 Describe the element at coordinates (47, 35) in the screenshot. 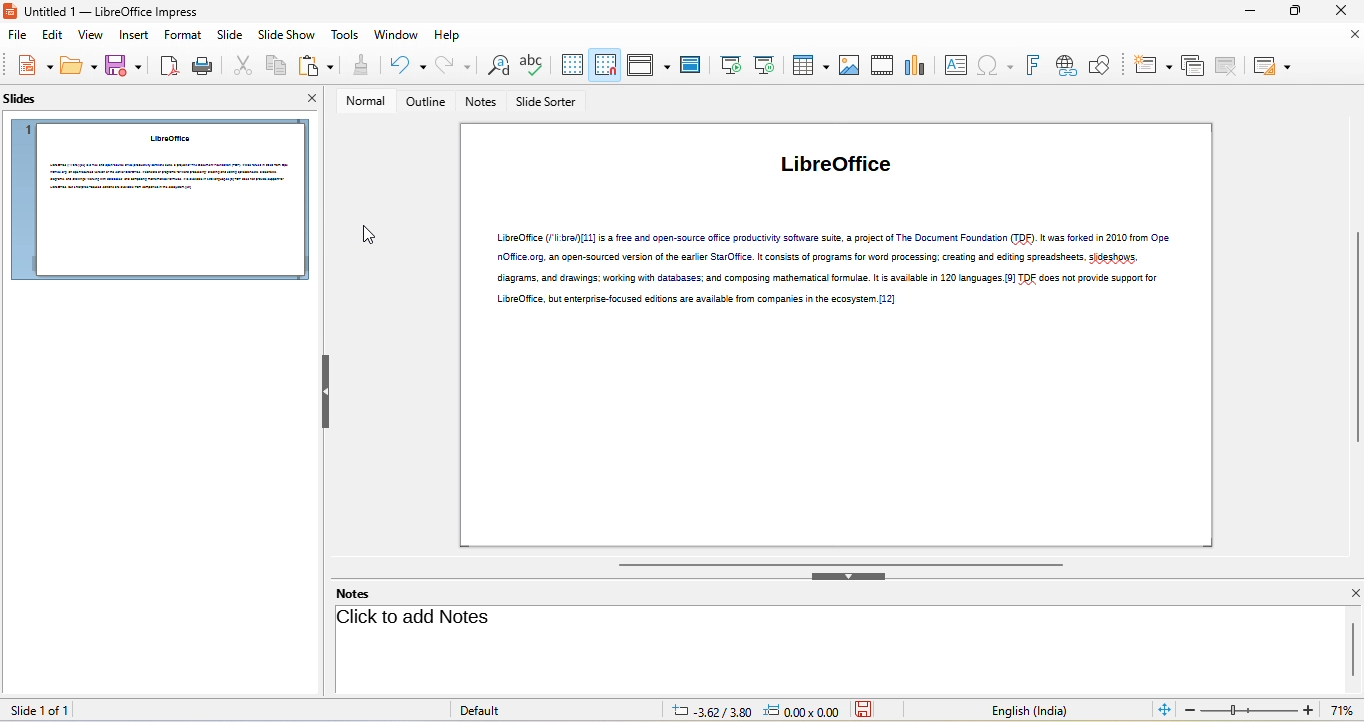

I see `edit` at that location.